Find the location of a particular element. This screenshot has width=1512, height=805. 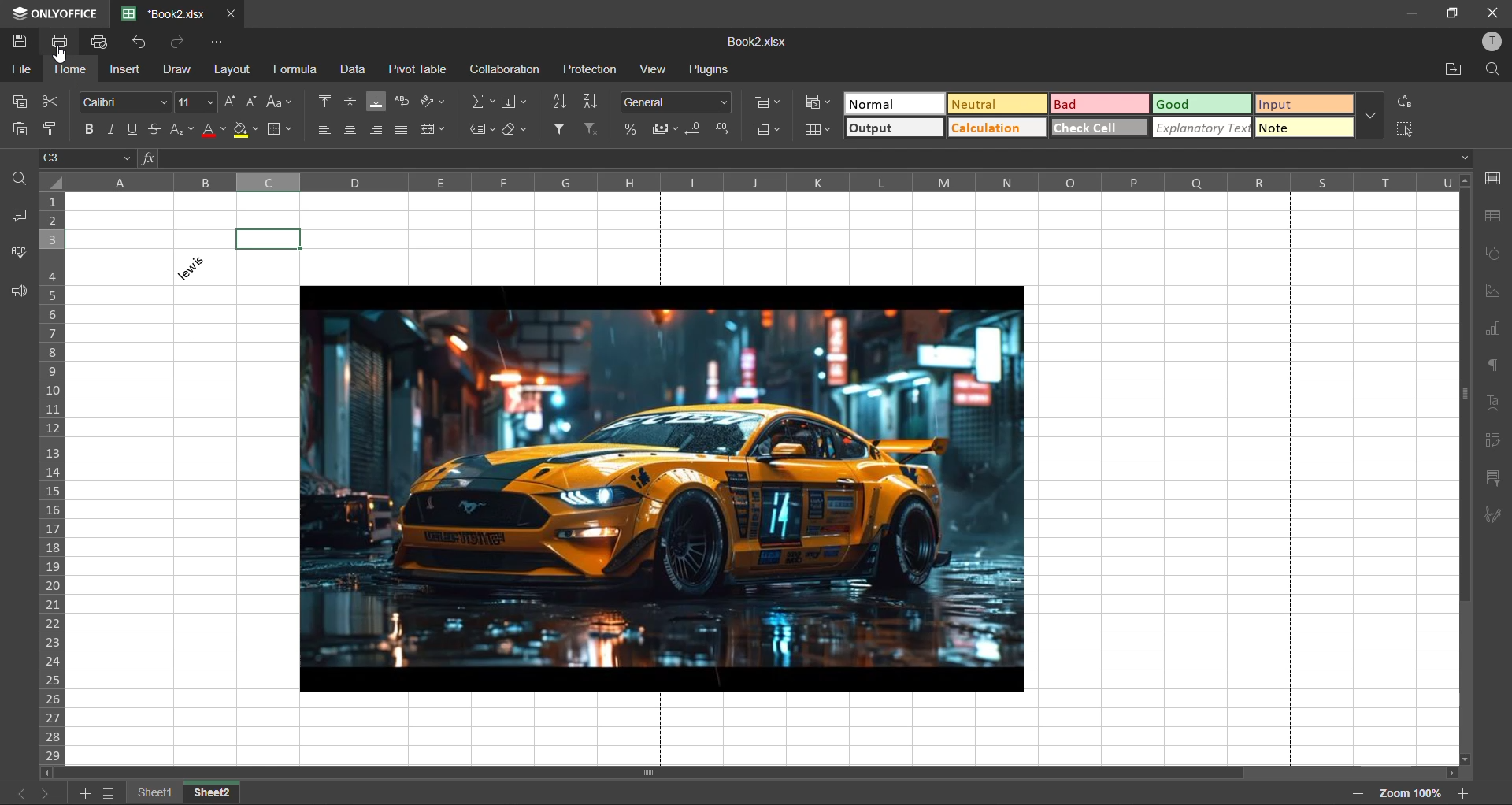

zoom in is located at coordinates (1462, 794).